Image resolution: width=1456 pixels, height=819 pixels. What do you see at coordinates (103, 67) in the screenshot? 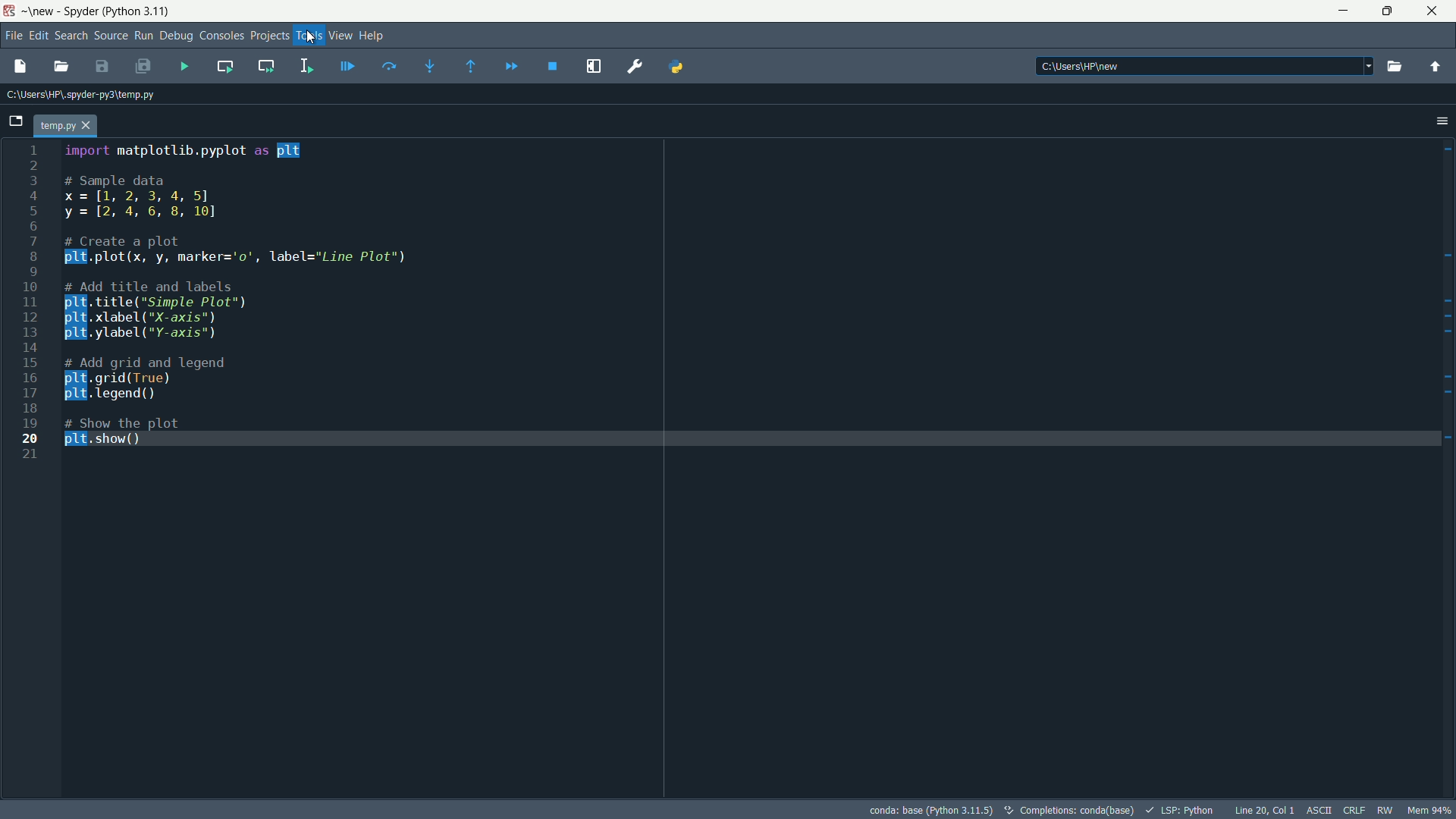
I see `save file` at bounding box center [103, 67].